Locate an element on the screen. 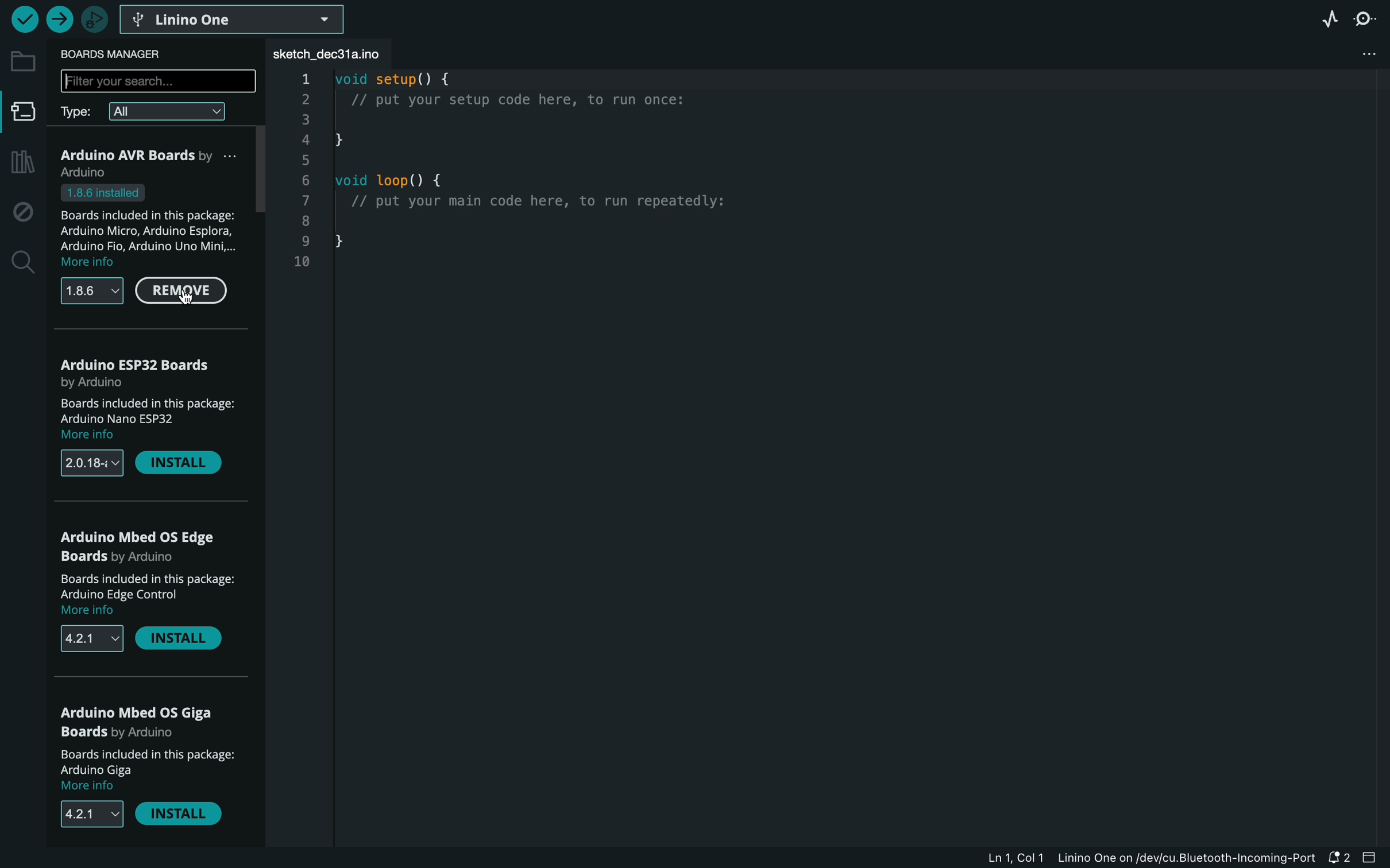  description is located at coordinates (147, 595).